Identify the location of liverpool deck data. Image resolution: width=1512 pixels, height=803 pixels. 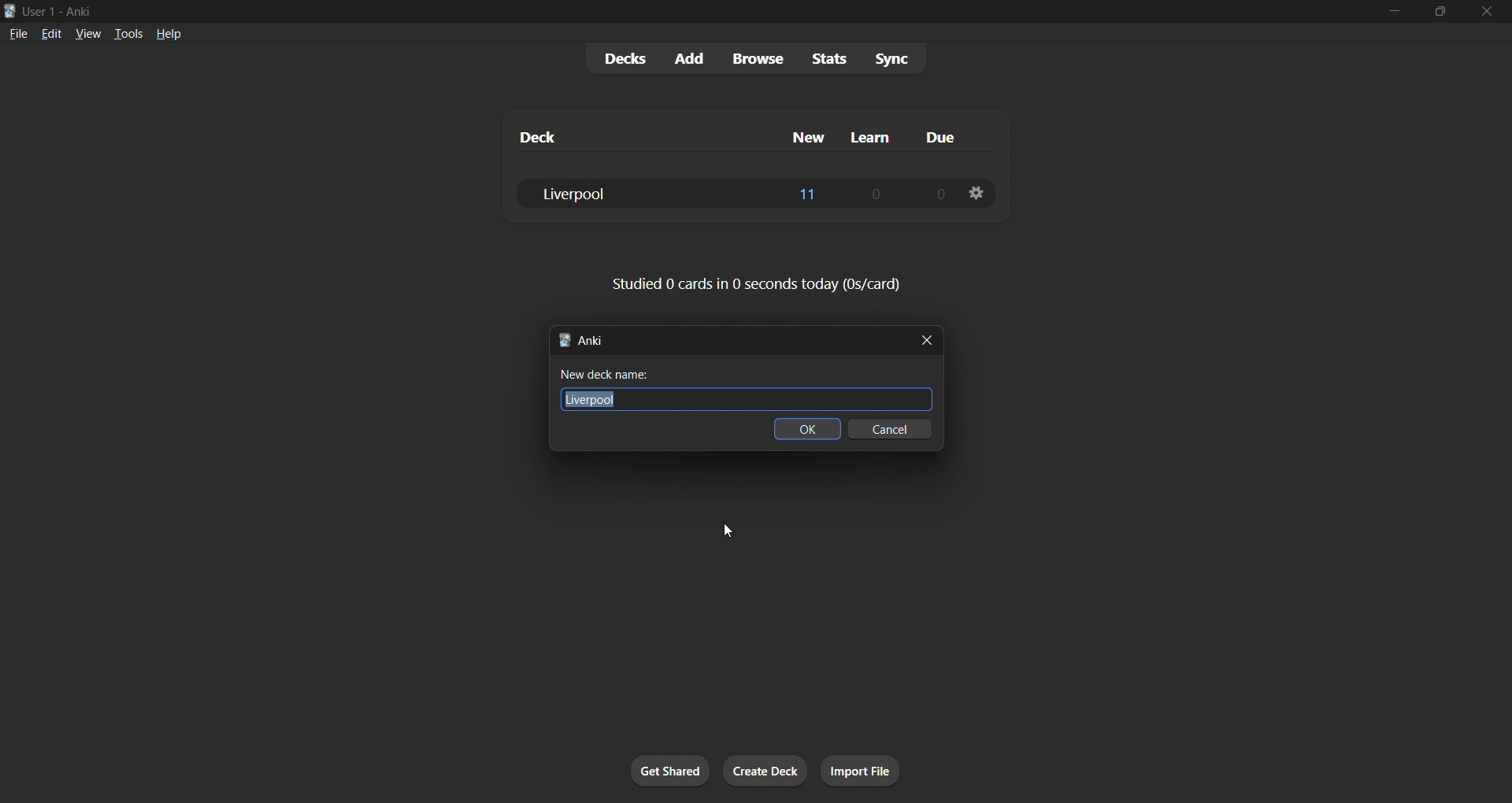
(738, 193).